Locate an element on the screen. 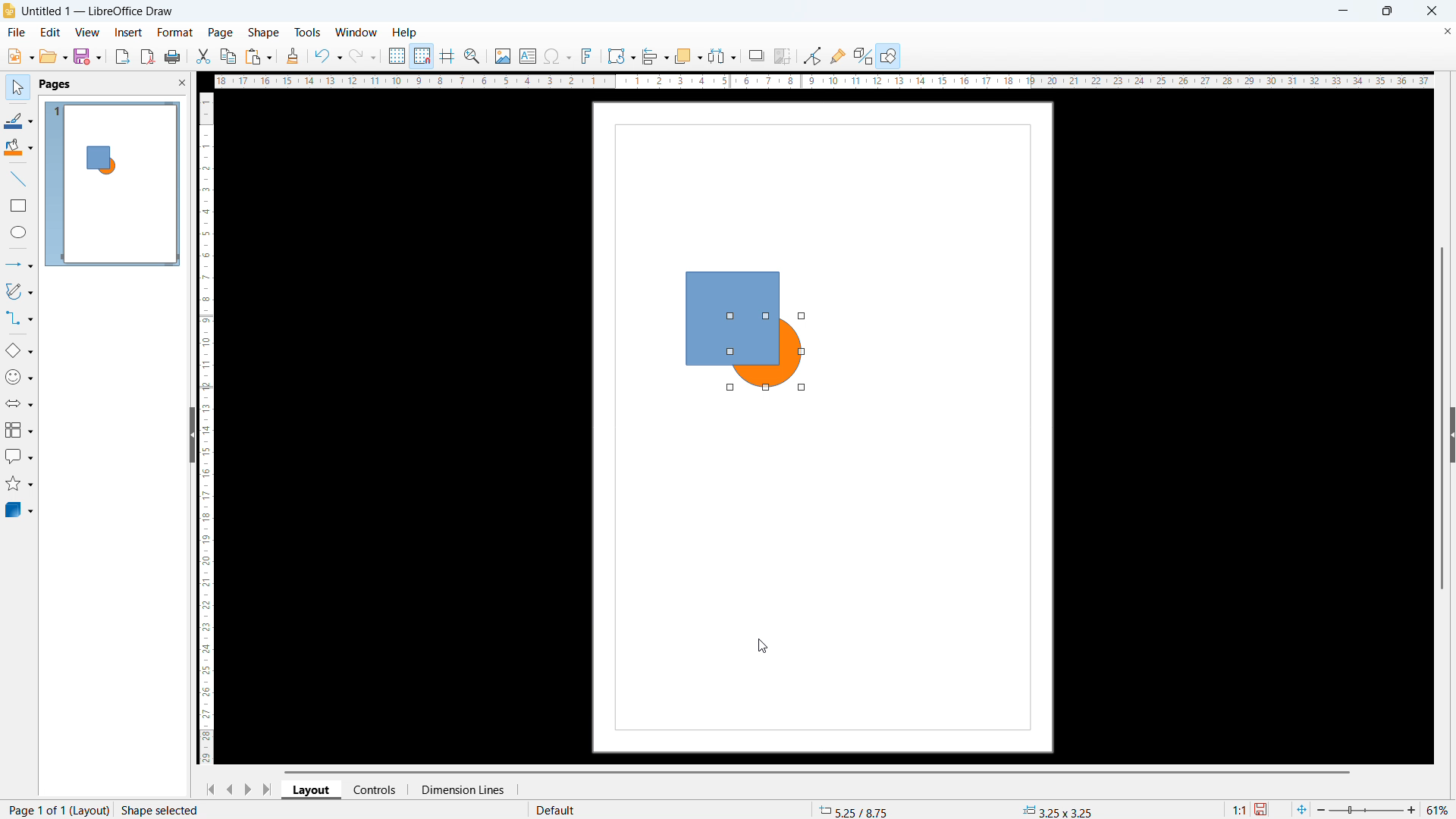  Pages  is located at coordinates (55, 83).